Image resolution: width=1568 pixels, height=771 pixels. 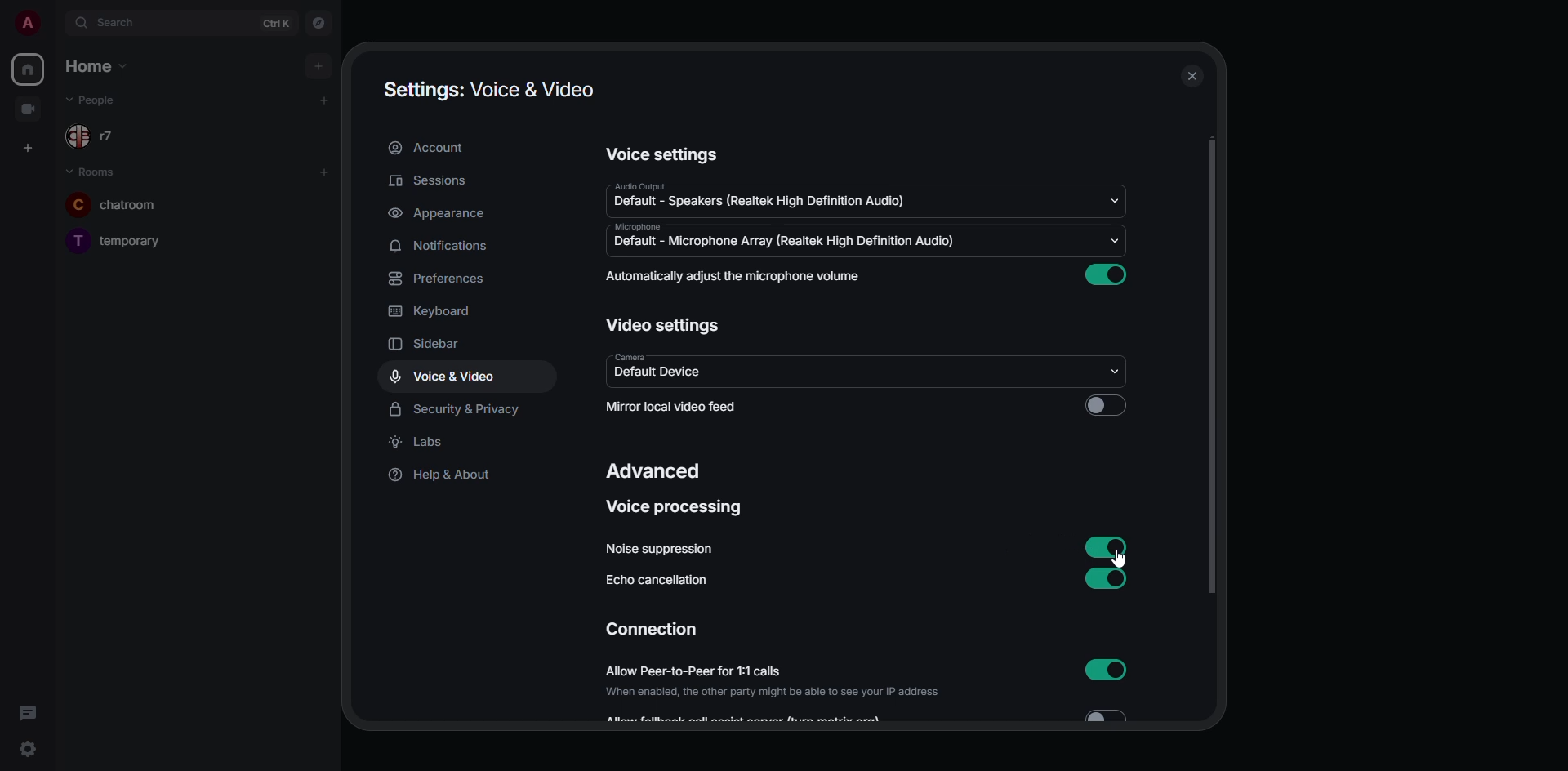 What do you see at coordinates (443, 475) in the screenshot?
I see `help & about` at bounding box center [443, 475].